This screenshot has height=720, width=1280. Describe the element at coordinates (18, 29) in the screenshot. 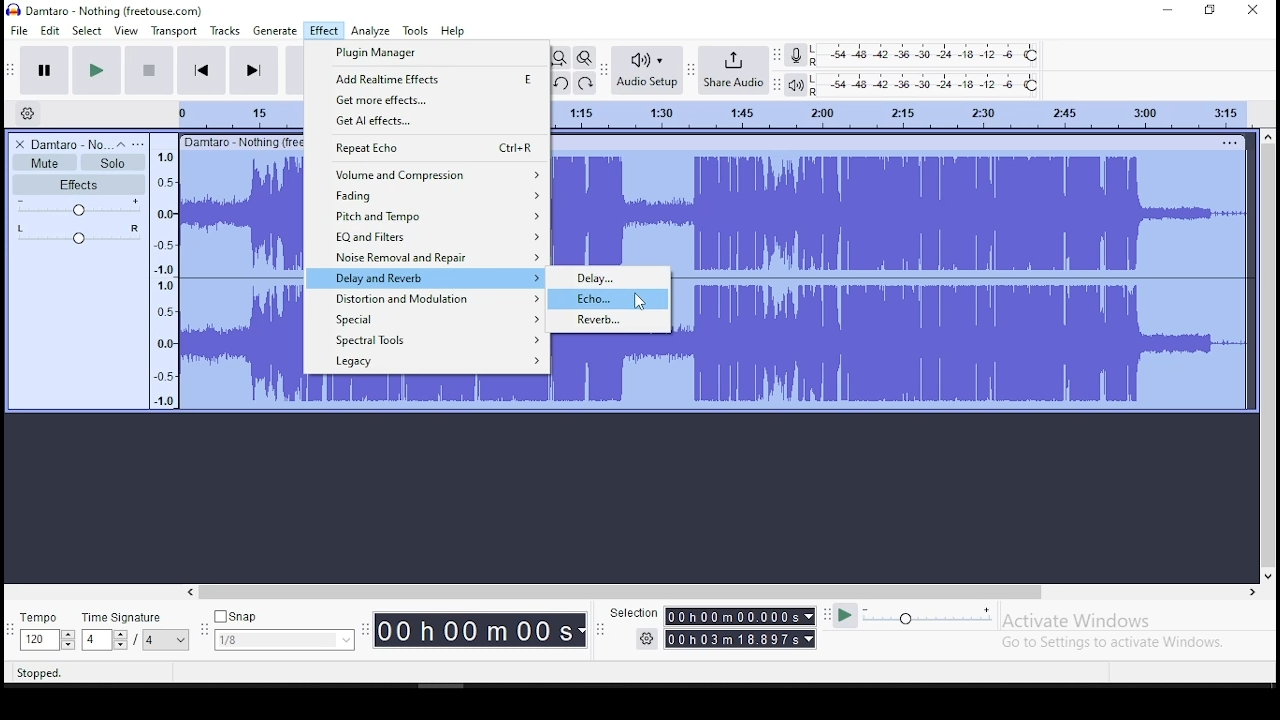

I see `file` at that location.